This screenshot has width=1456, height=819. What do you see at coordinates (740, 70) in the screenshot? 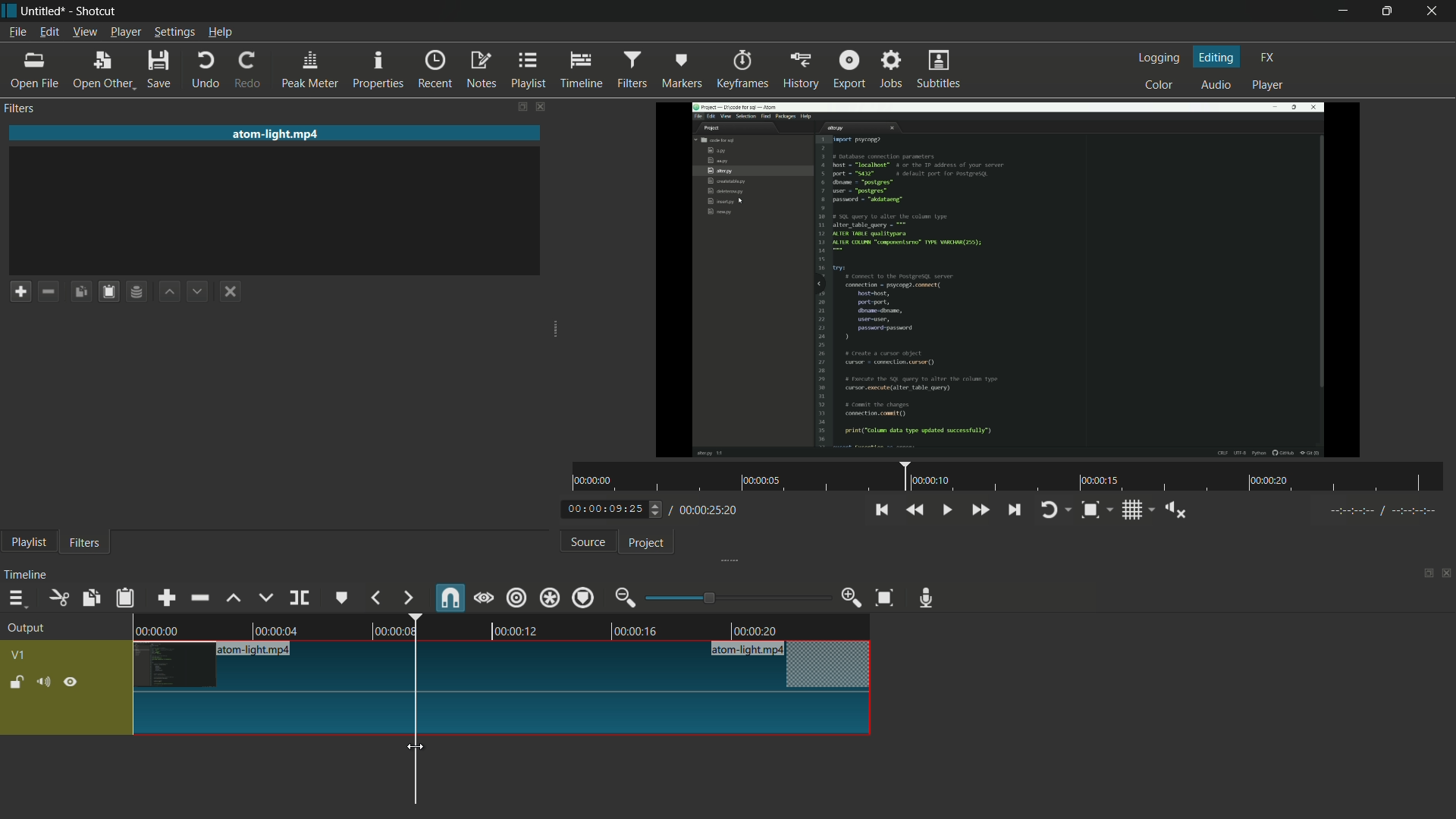
I see `keyframes` at bounding box center [740, 70].